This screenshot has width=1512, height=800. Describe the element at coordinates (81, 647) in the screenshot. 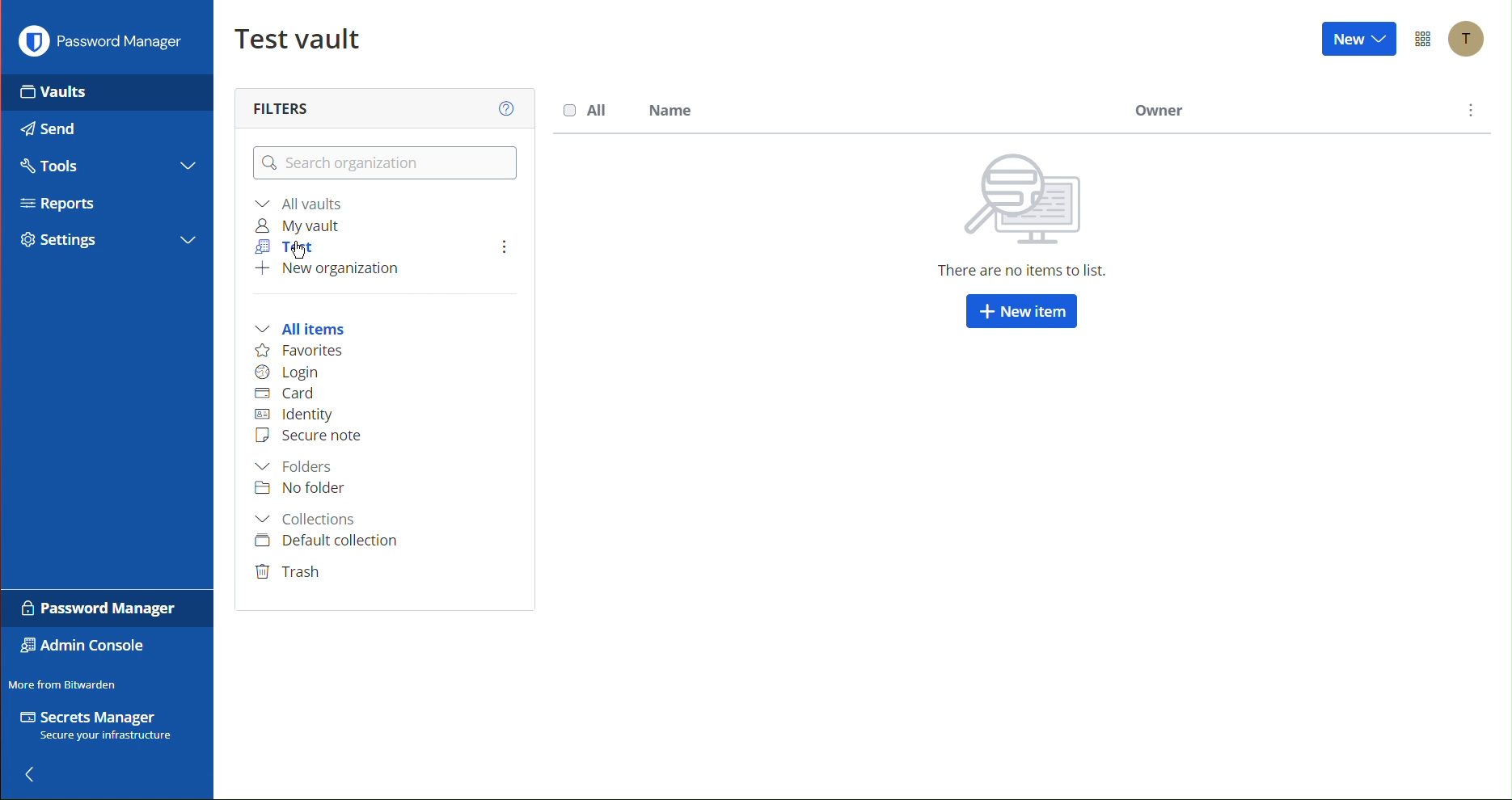

I see `Admin Console` at that location.